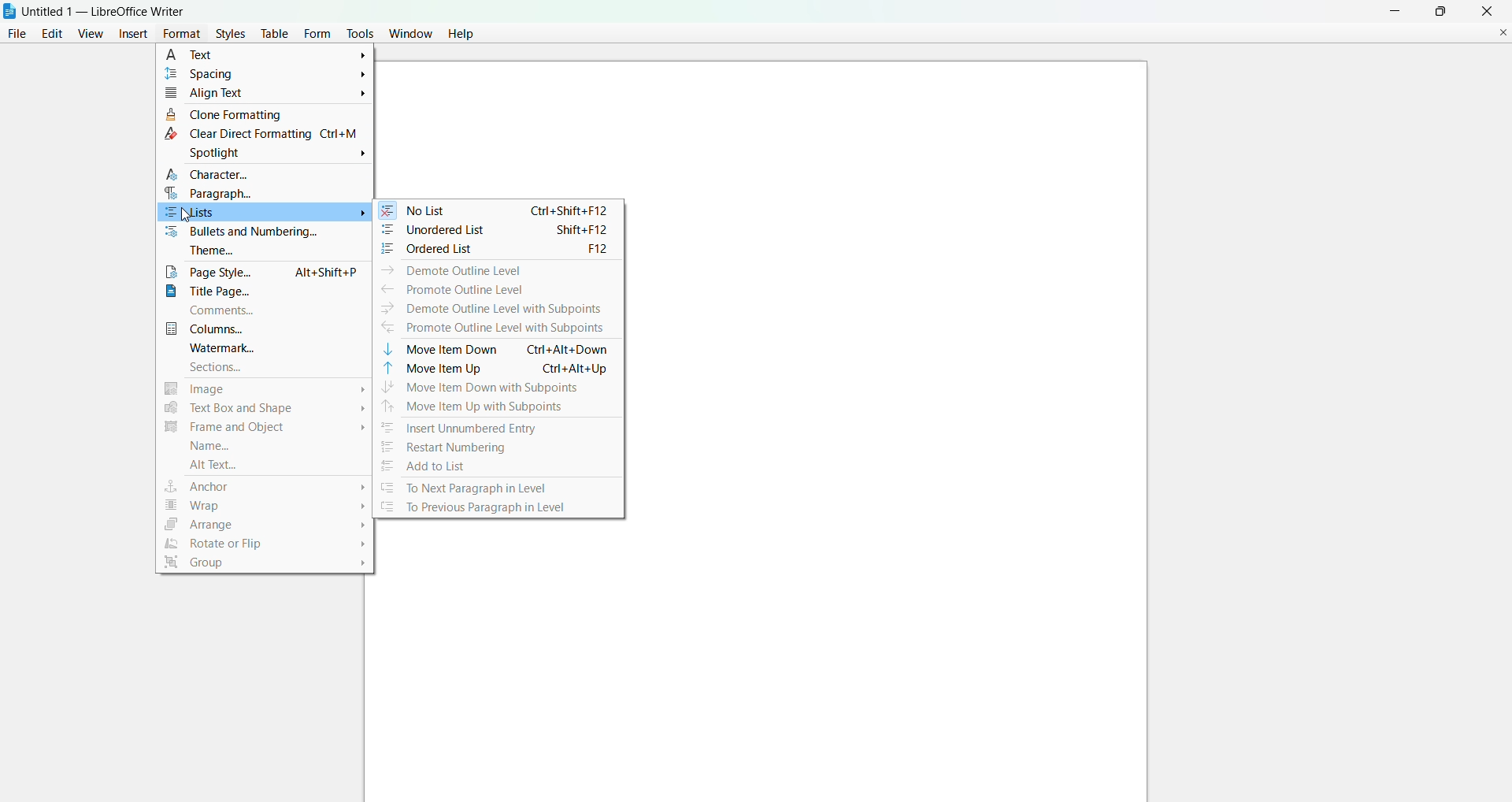 This screenshot has width=1512, height=802. What do you see at coordinates (498, 232) in the screenshot?
I see `unordered list` at bounding box center [498, 232].